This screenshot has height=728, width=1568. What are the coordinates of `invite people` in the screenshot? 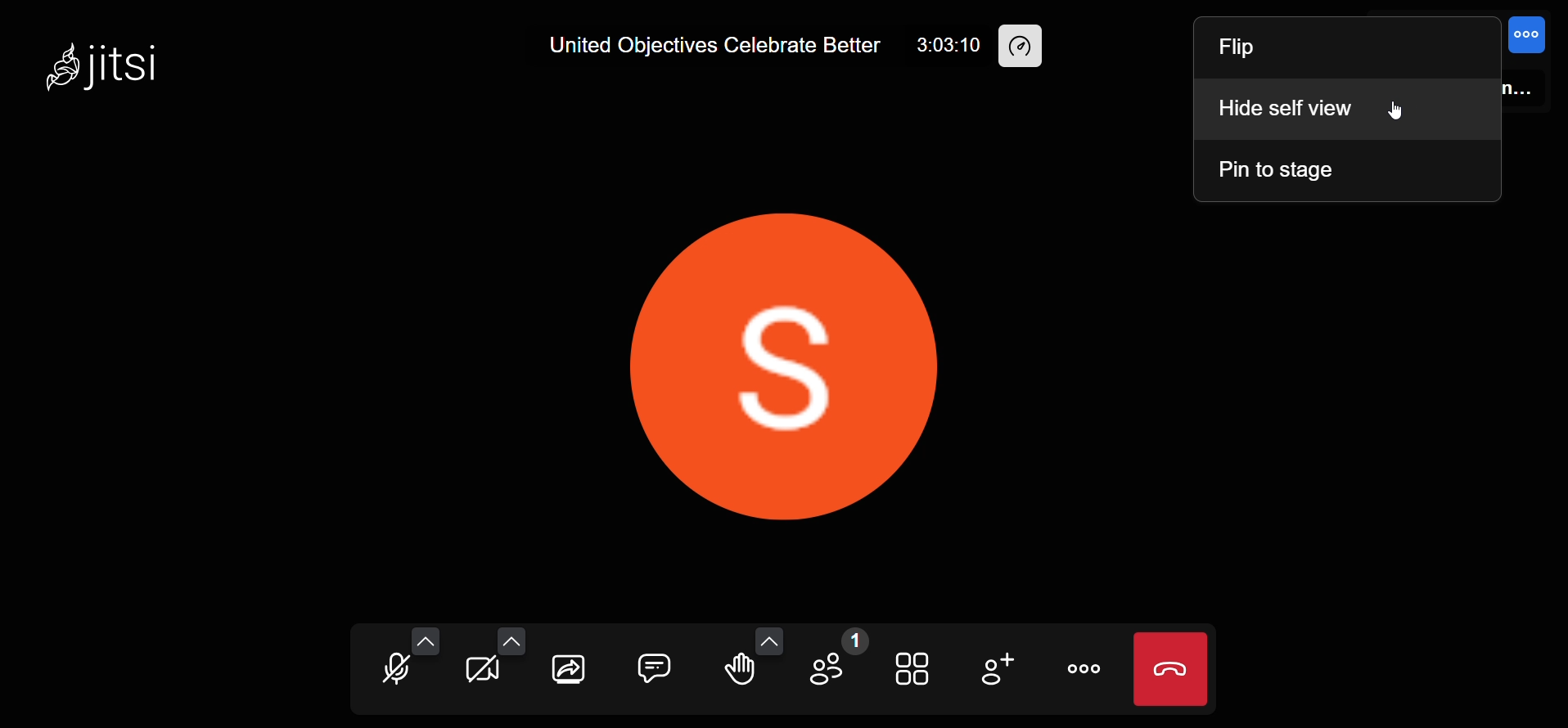 It's located at (998, 668).